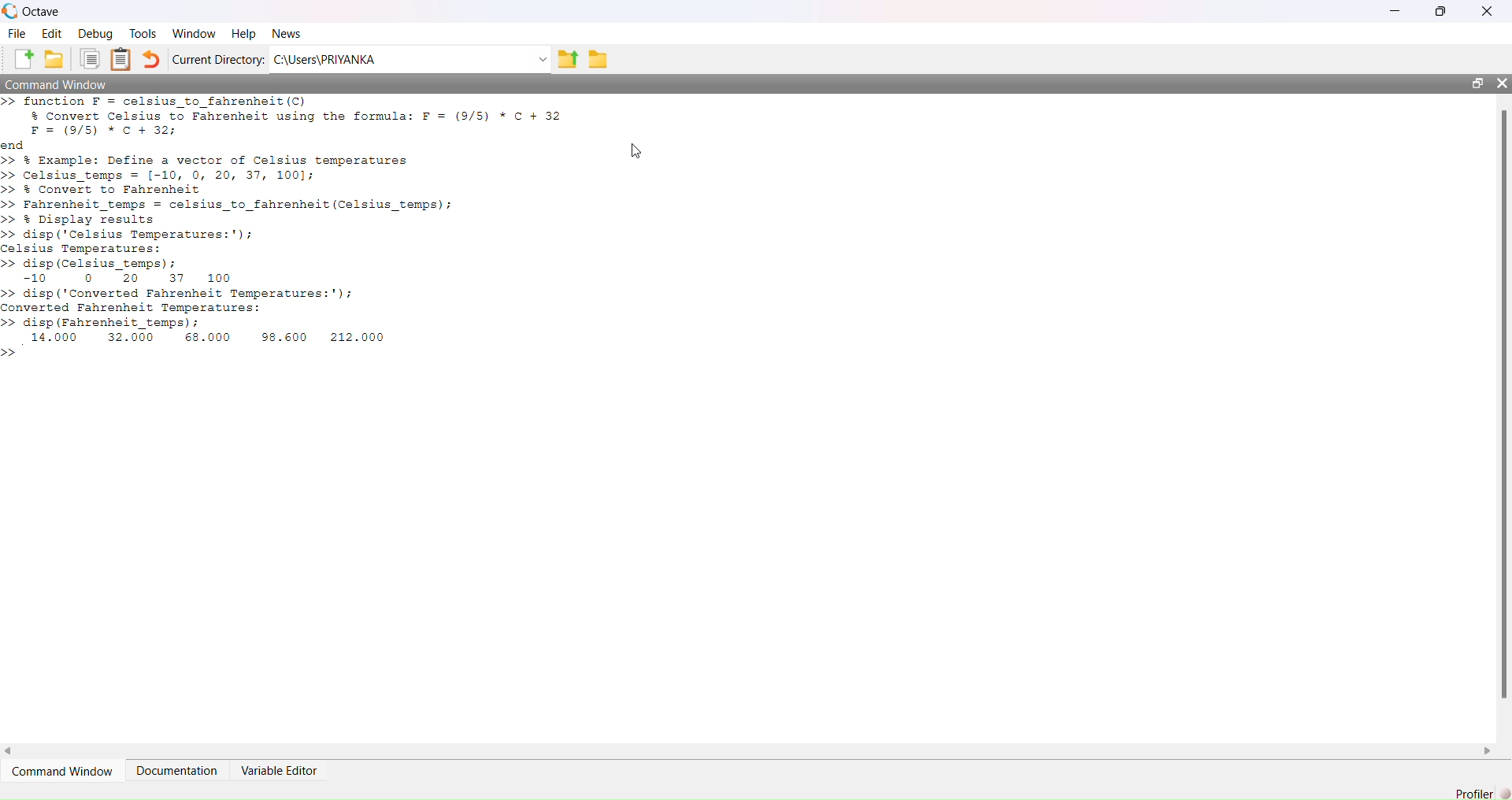  I want to click on Help, so click(243, 33).